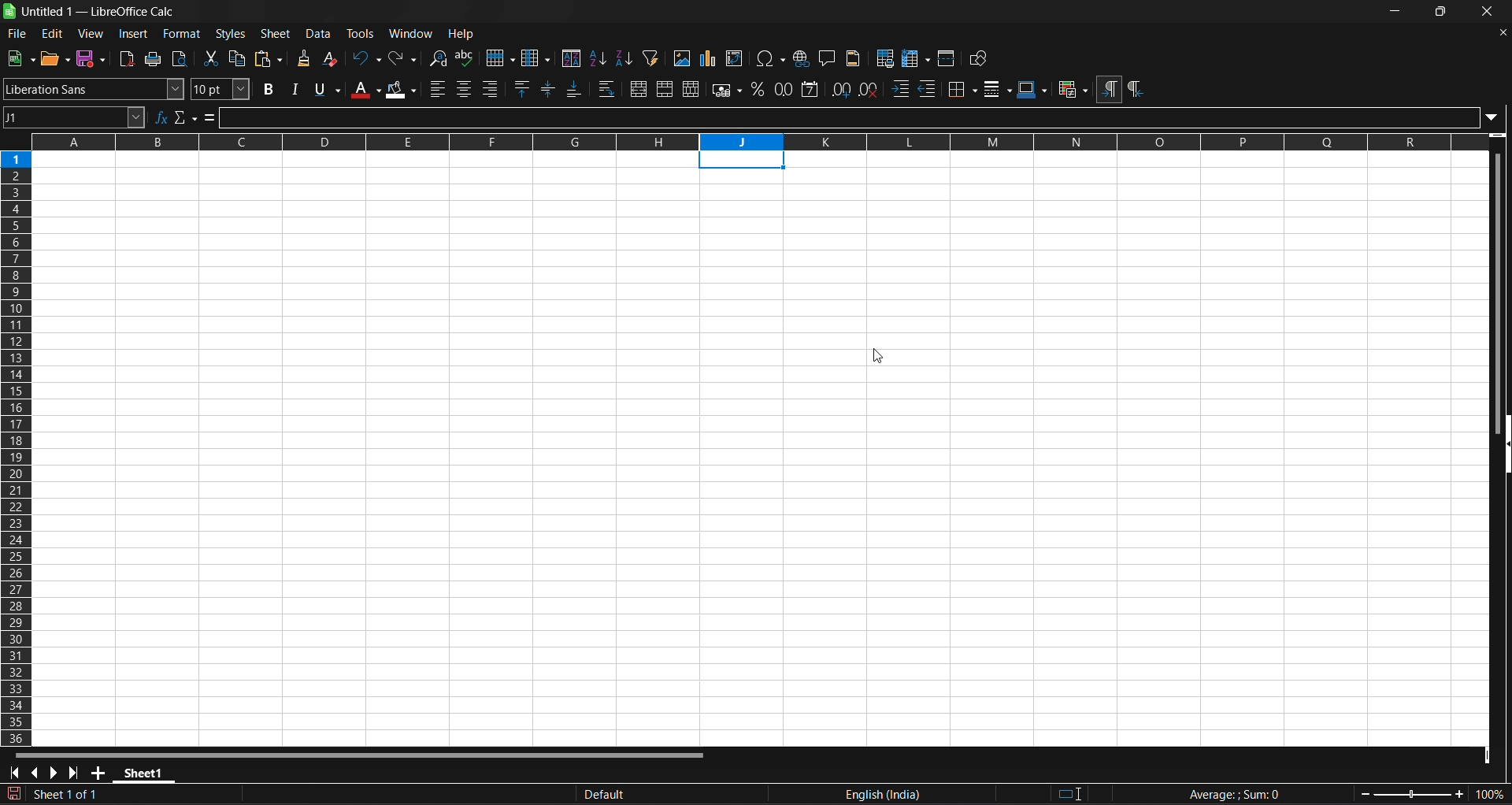 This screenshot has height=805, width=1512. What do you see at coordinates (598, 57) in the screenshot?
I see `sort ascending` at bounding box center [598, 57].